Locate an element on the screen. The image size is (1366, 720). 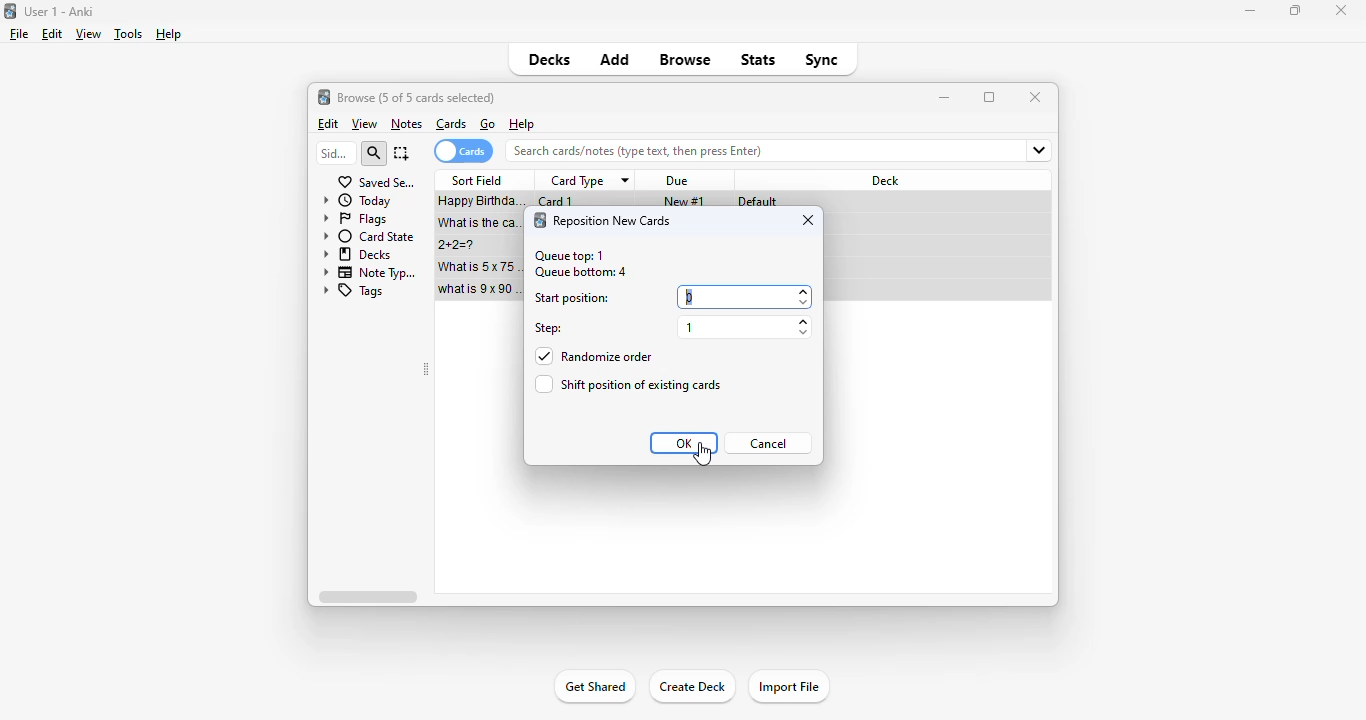
new #1 is located at coordinates (684, 201).